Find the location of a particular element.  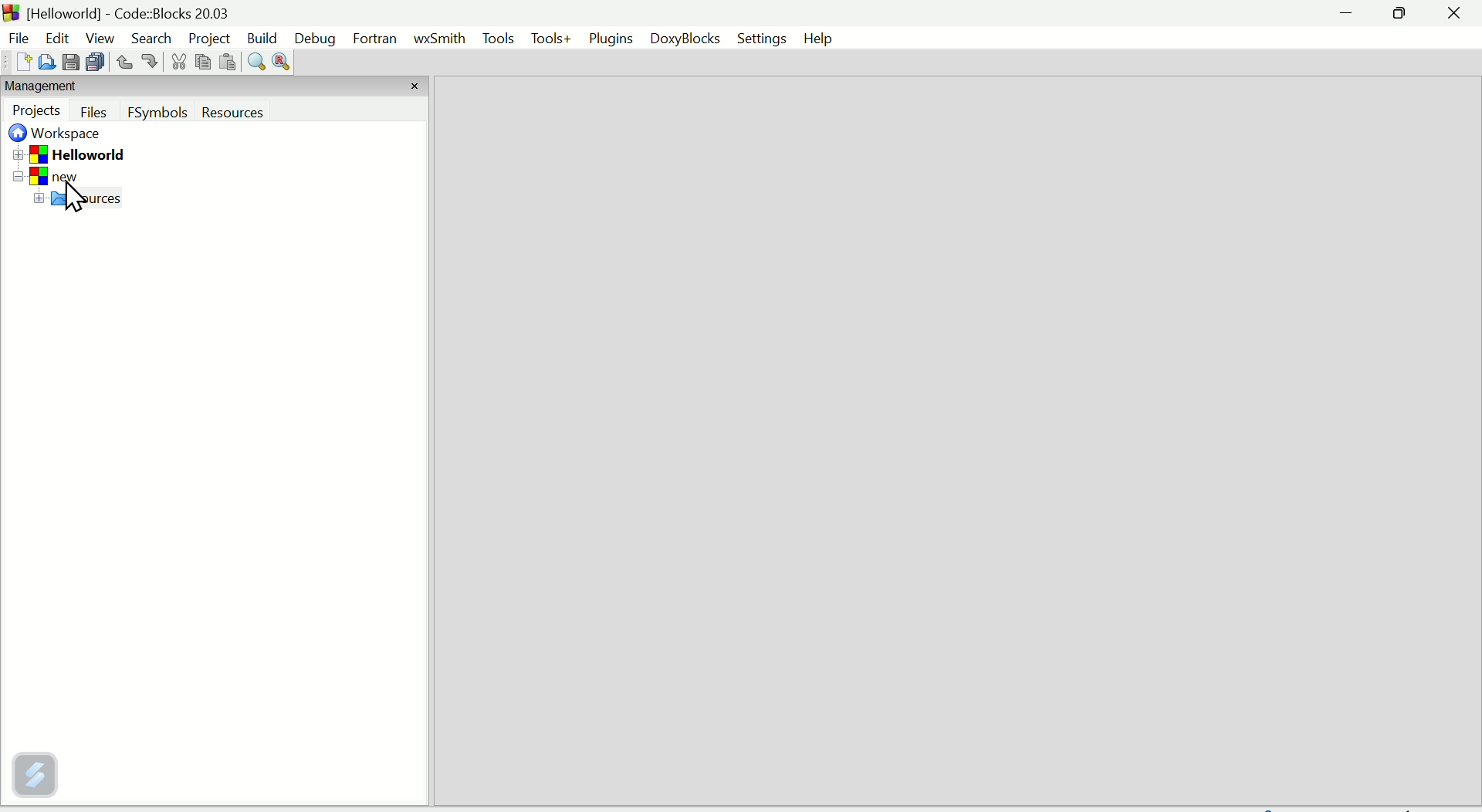

Paste is located at coordinates (226, 63).